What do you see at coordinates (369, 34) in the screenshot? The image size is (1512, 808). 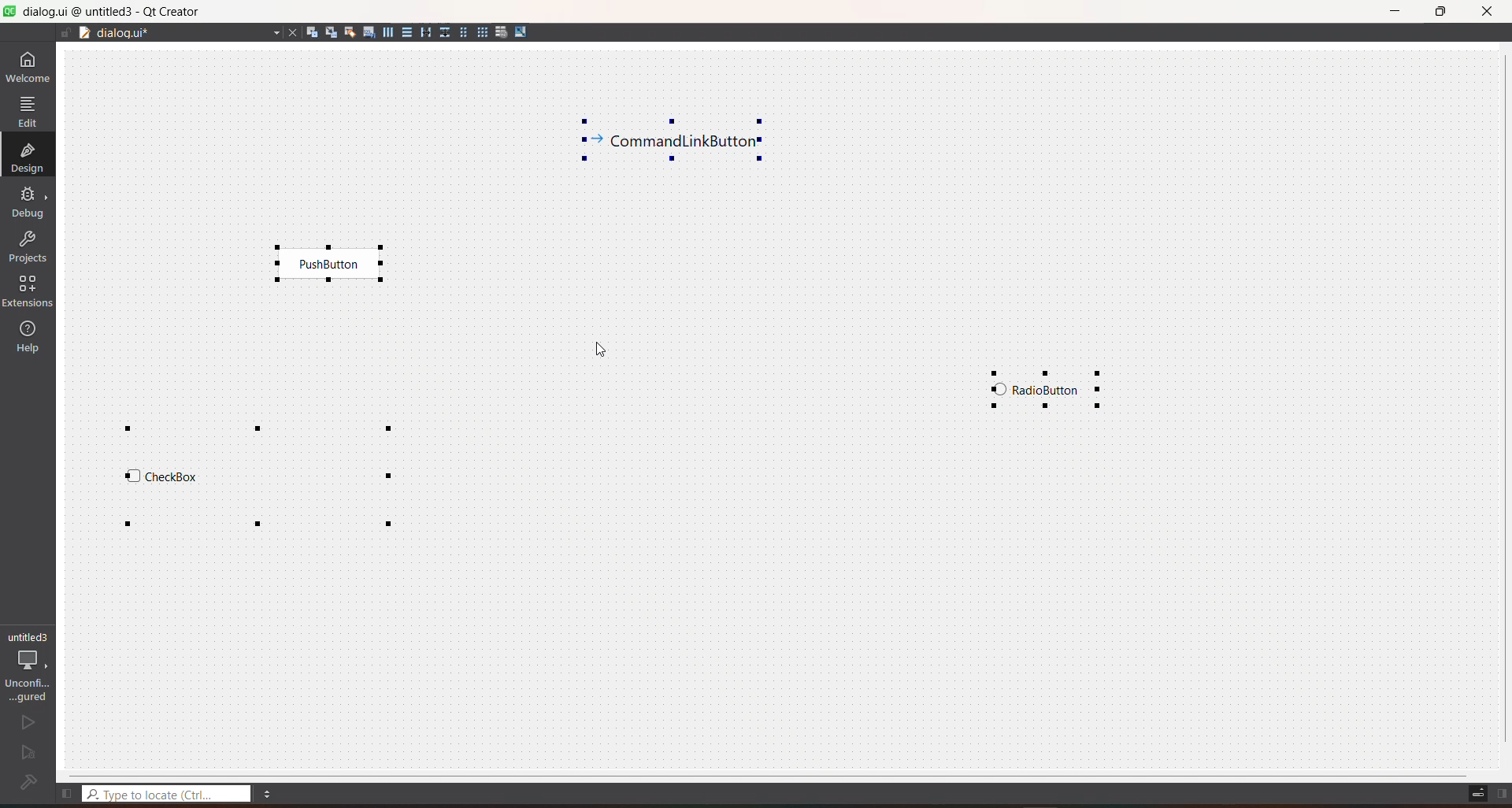 I see `edit tab order` at bounding box center [369, 34].